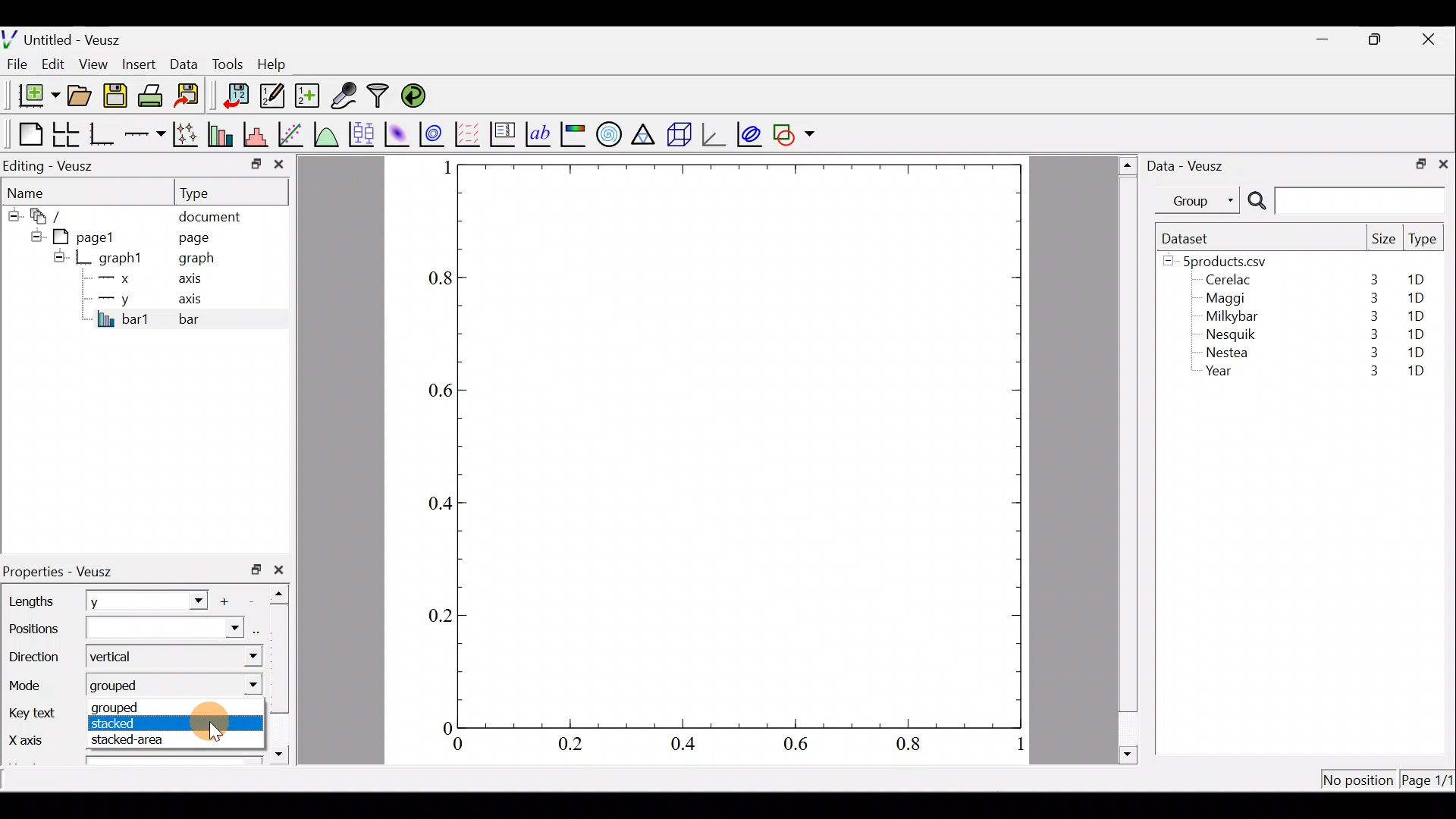 The image size is (1456, 819). I want to click on stacked area, so click(126, 742).